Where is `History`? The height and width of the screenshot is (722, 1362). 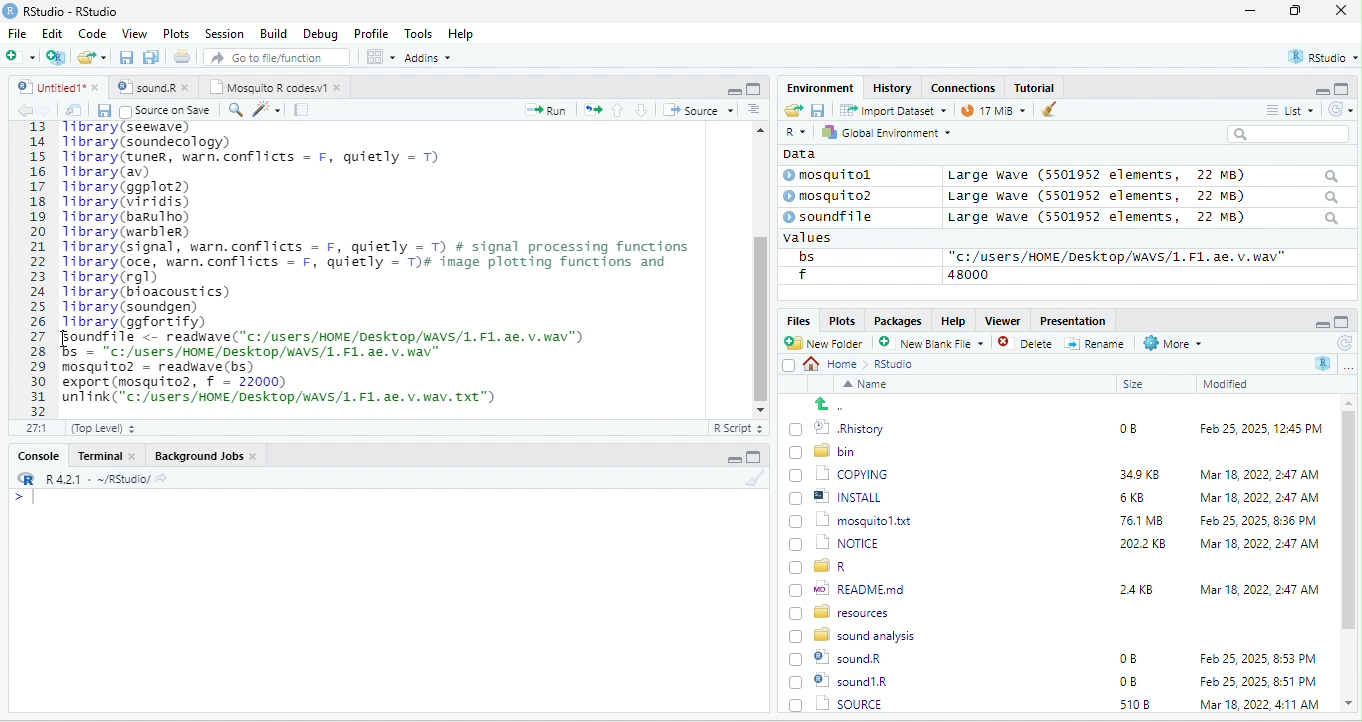 History is located at coordinates (893, 87).